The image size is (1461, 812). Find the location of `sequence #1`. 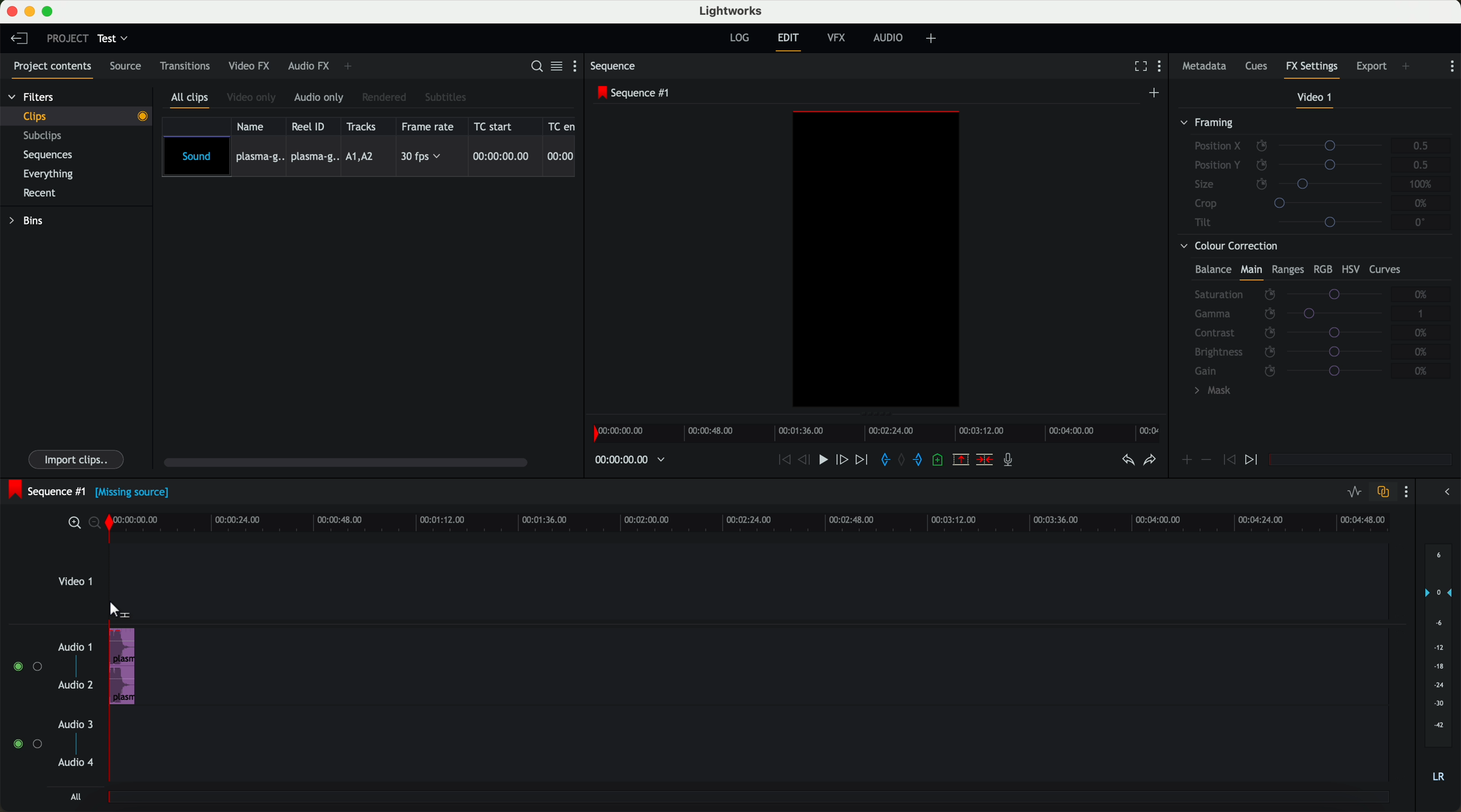

sequence #1 is located at coordinates (47, 489).